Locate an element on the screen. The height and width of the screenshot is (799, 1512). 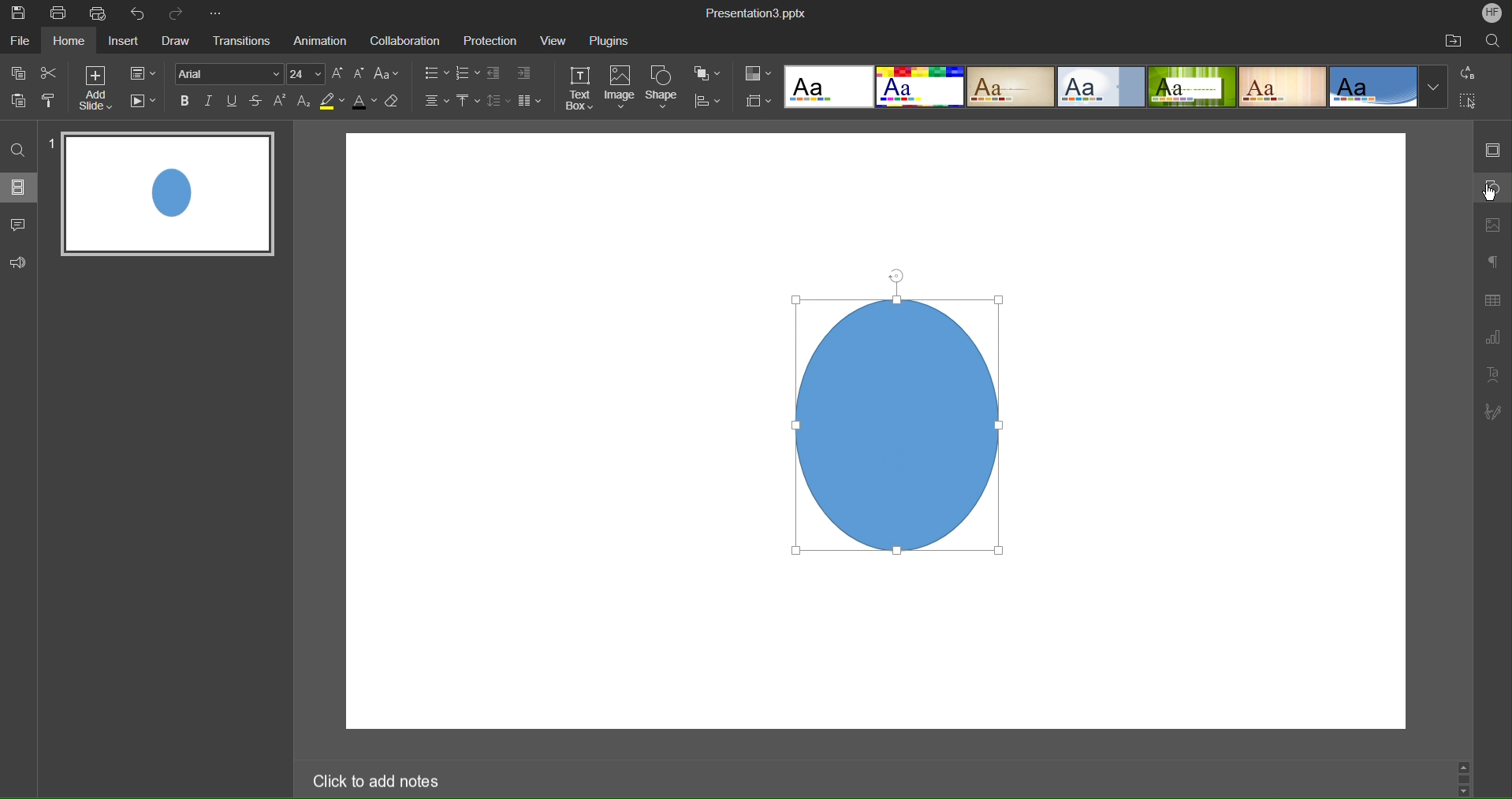
Text Art is located at coordinates (1494, 376).